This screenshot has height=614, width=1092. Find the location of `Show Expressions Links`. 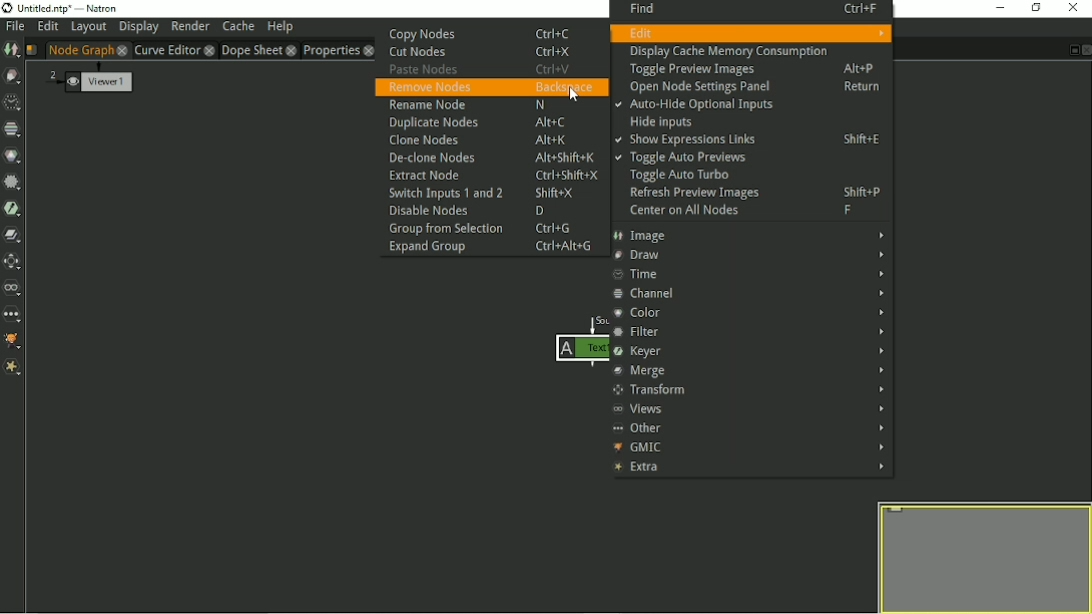

Show Expressions Links is located at coordinates (753, 140).